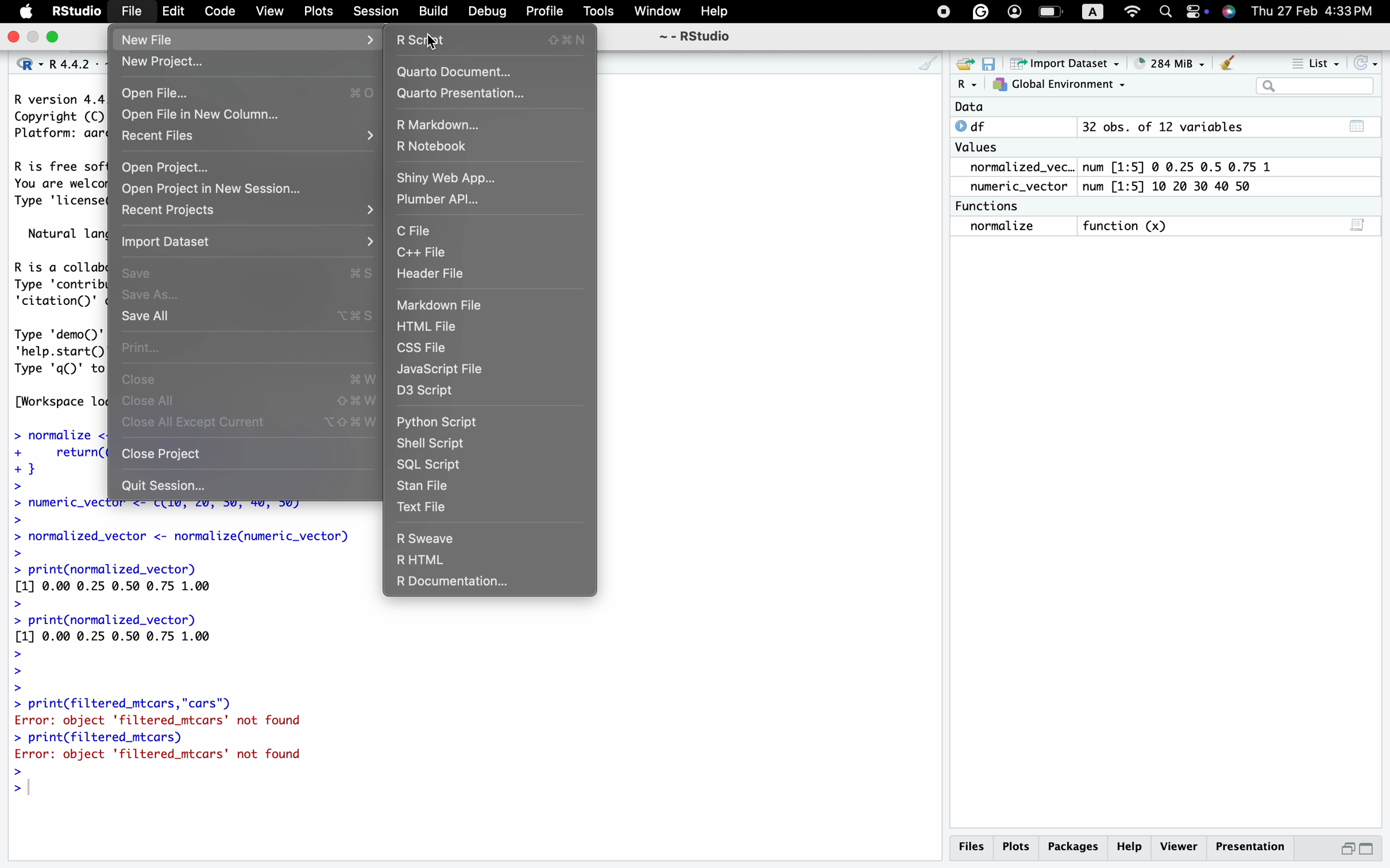 The image size is (1390, 868). I want to click on Markdown File, so click(446, 306).